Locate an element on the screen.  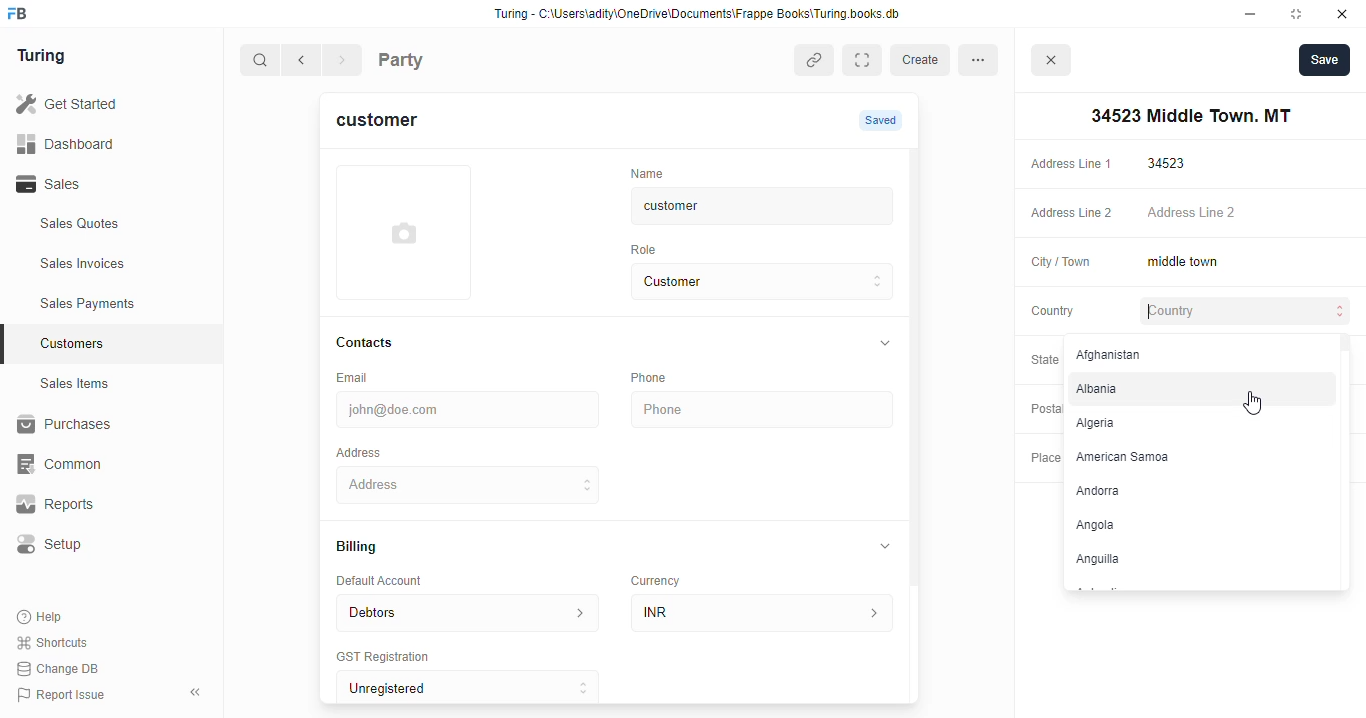
Purchases is located at coordinates (100, 427).